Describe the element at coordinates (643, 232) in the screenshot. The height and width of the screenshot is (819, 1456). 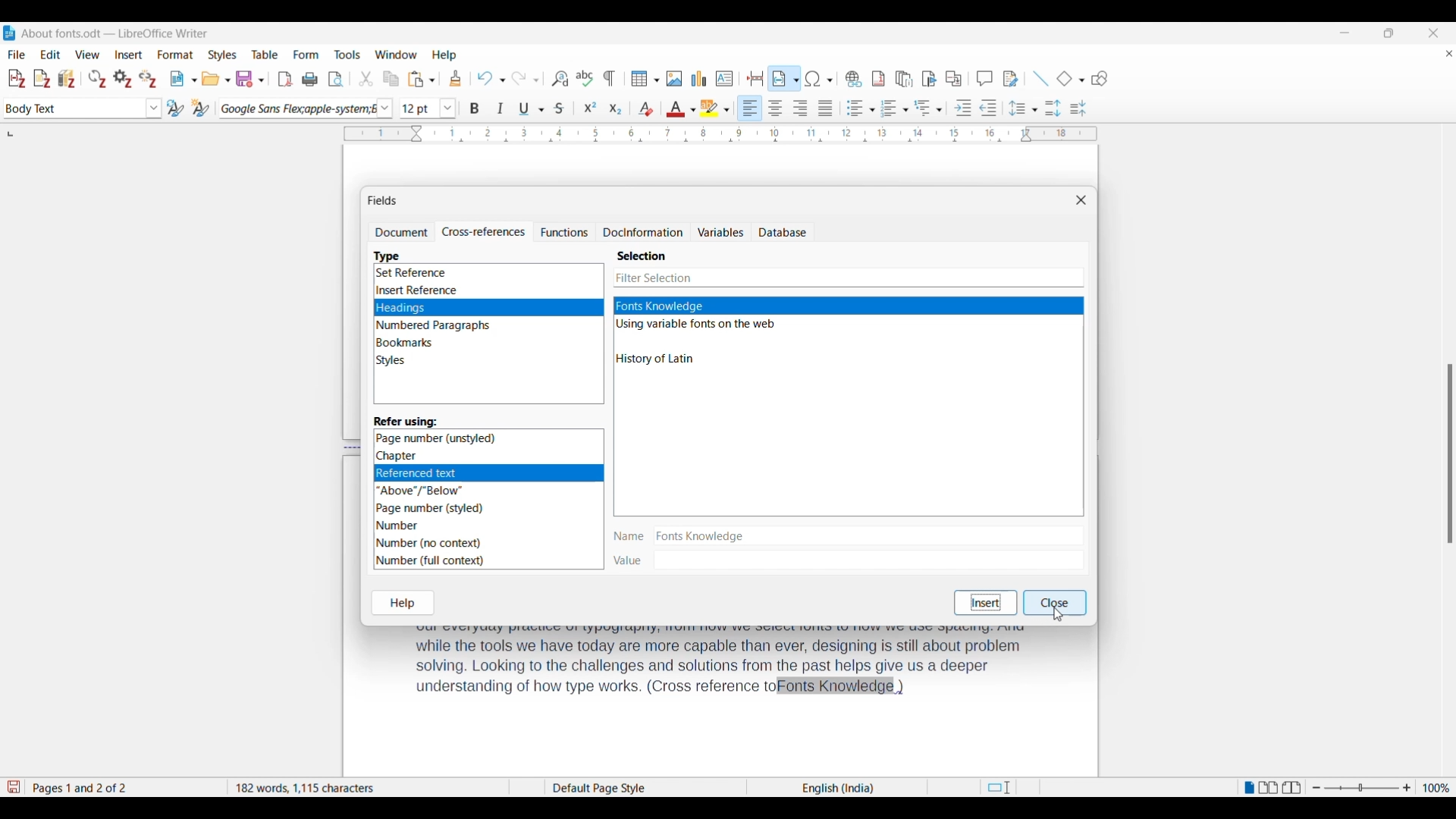
I see `Docinformation` at that location.